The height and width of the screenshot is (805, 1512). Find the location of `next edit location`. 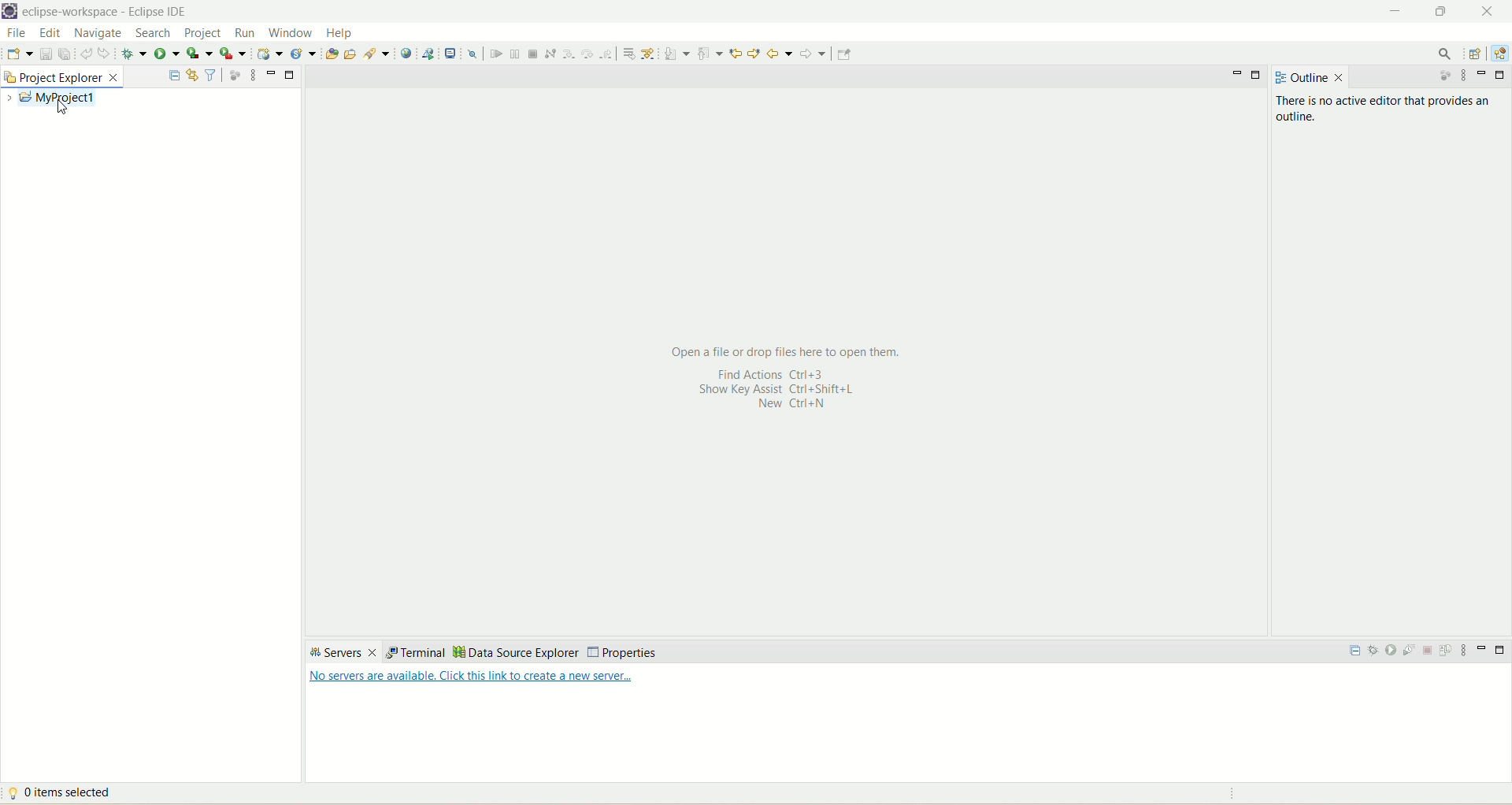

next edit location is located at coordinates (736, 54).